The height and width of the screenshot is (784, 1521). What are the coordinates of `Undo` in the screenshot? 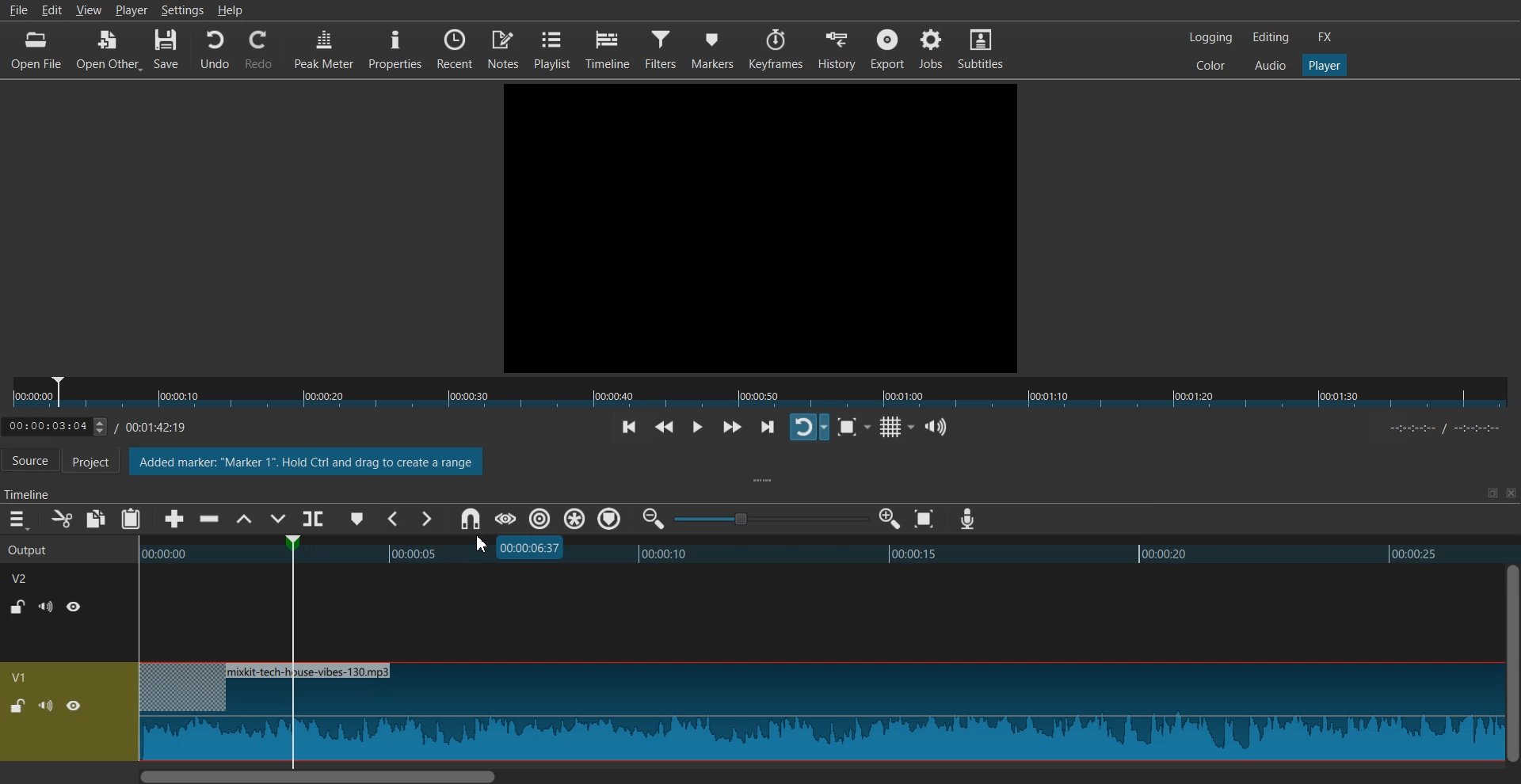 It's located at (215, 50).